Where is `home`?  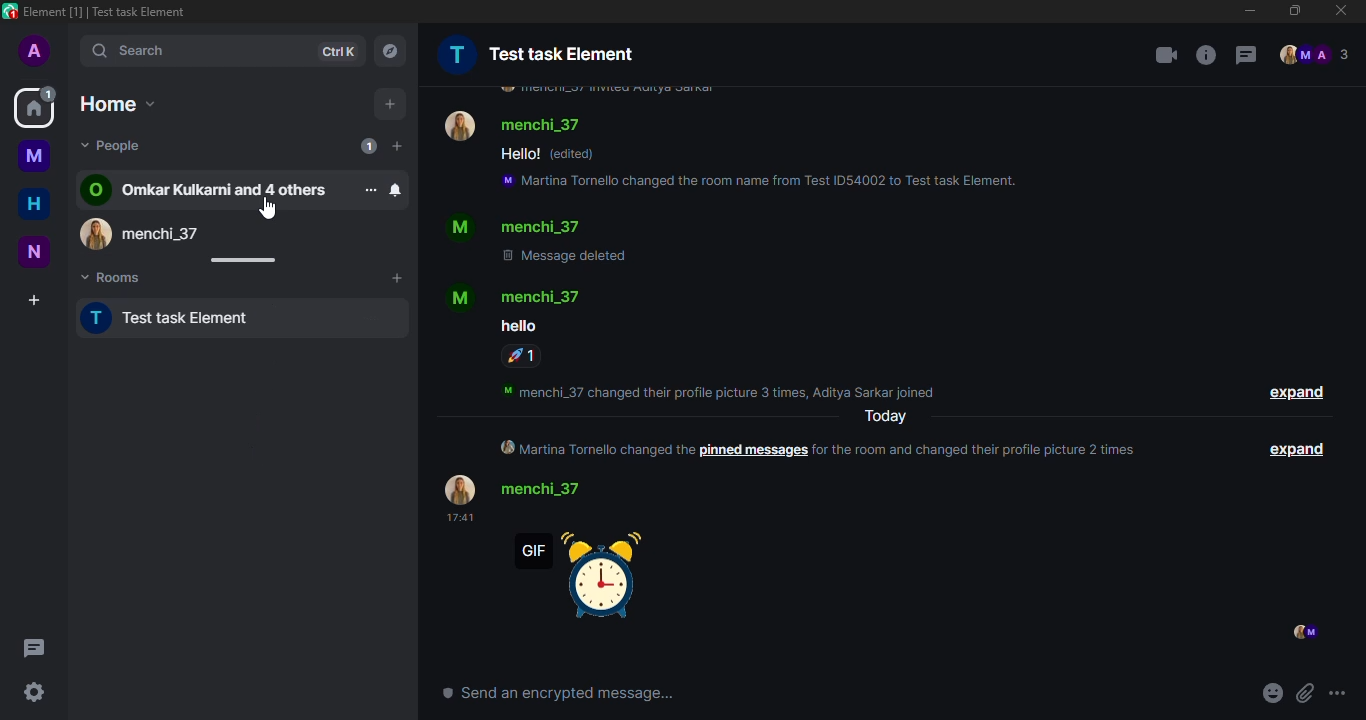
home is located at coordinates (122, 102).